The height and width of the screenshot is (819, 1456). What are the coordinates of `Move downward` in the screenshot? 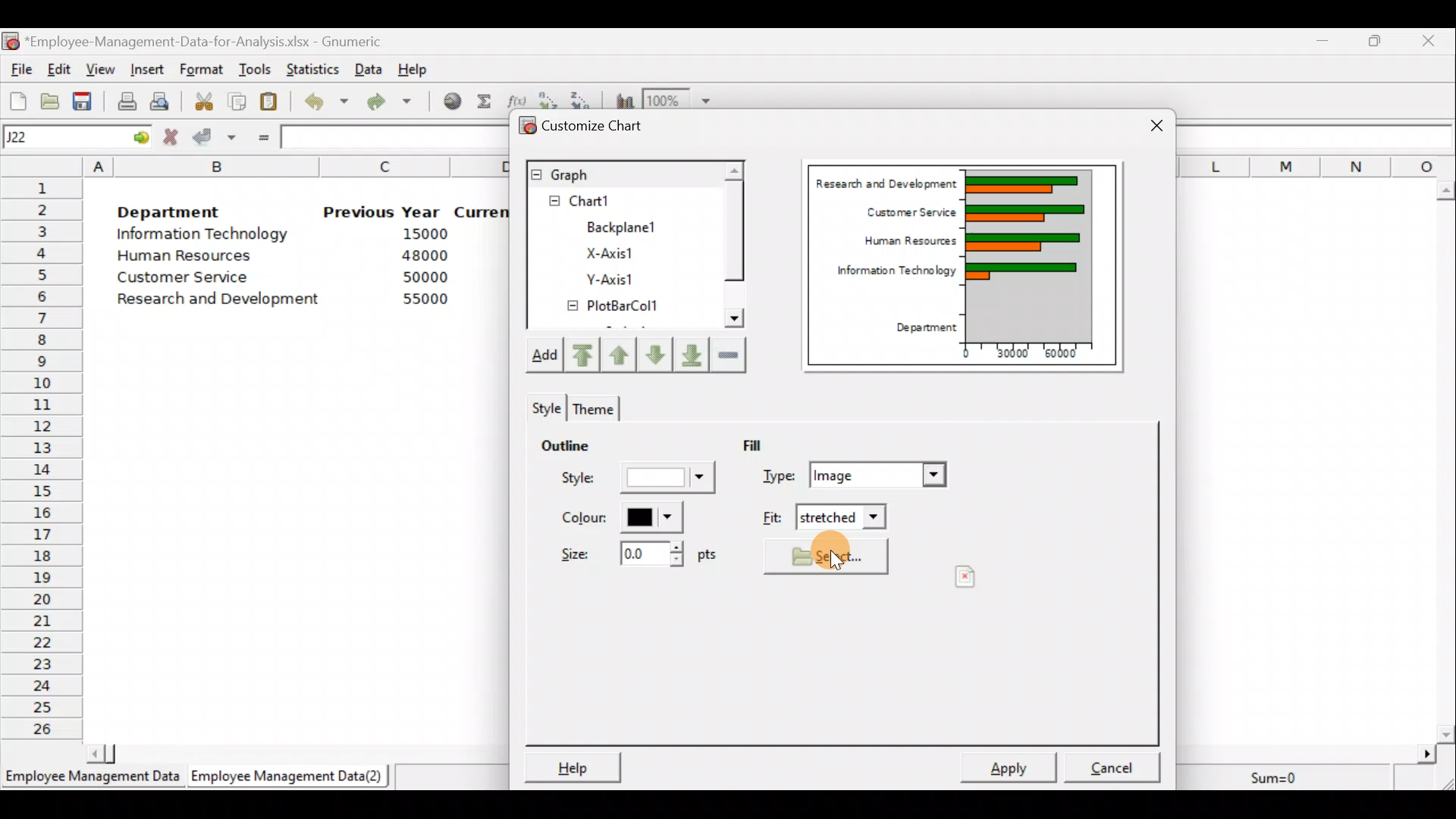 It's located at (688, 352).